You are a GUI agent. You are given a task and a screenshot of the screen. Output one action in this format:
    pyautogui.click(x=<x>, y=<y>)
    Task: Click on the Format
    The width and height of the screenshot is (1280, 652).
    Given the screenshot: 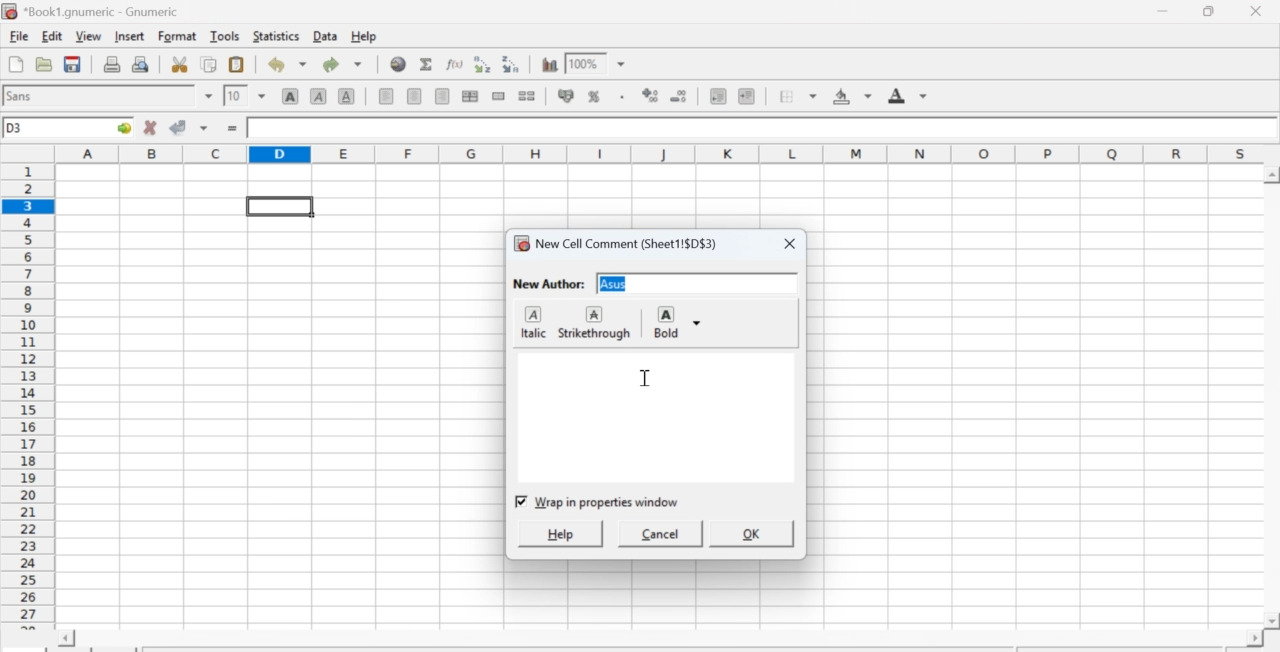 What is the action you would take?
    pyautogui.click(x=178, y=36)
    